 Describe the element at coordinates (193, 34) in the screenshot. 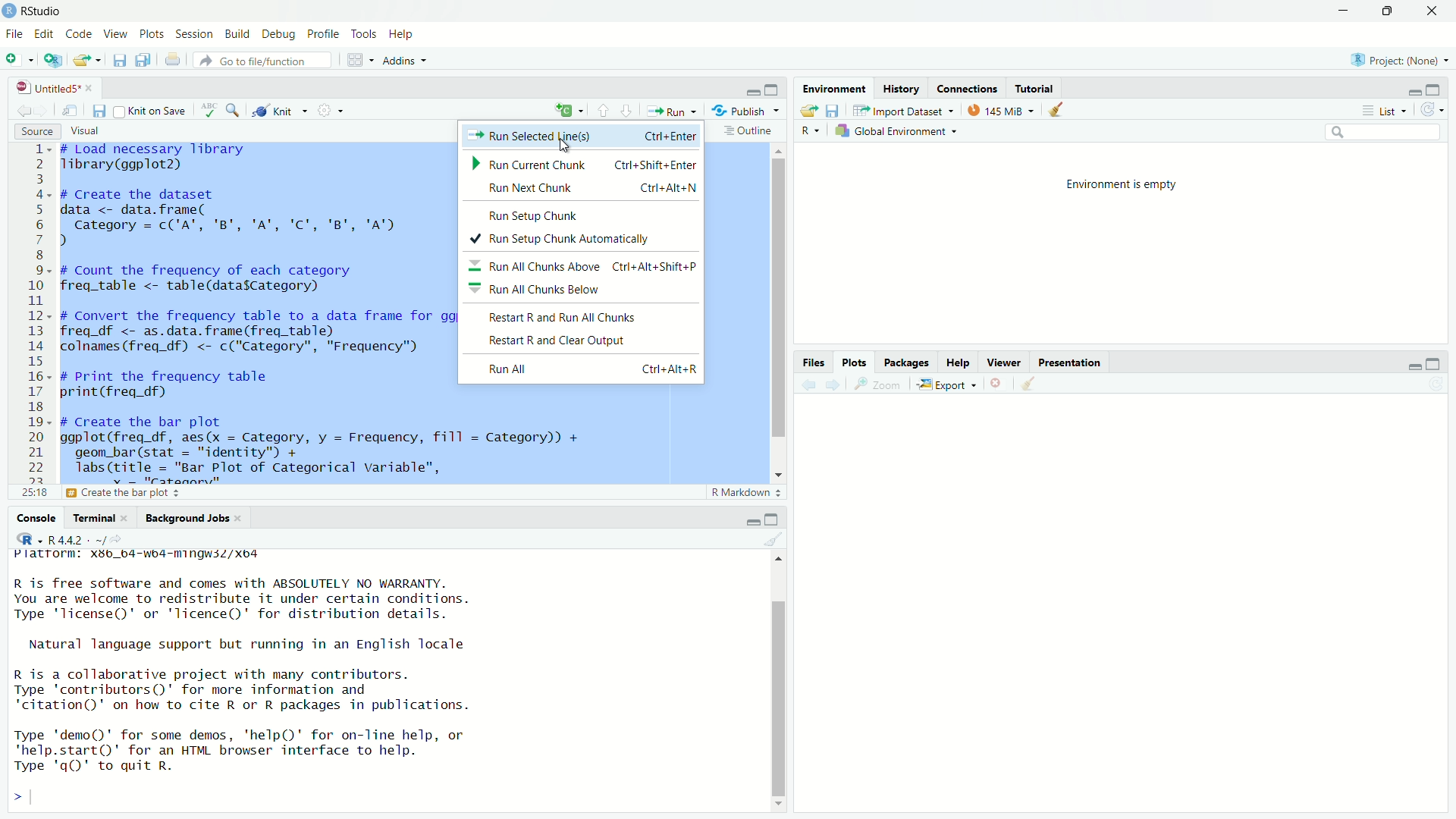

I see `sessions` at that location.